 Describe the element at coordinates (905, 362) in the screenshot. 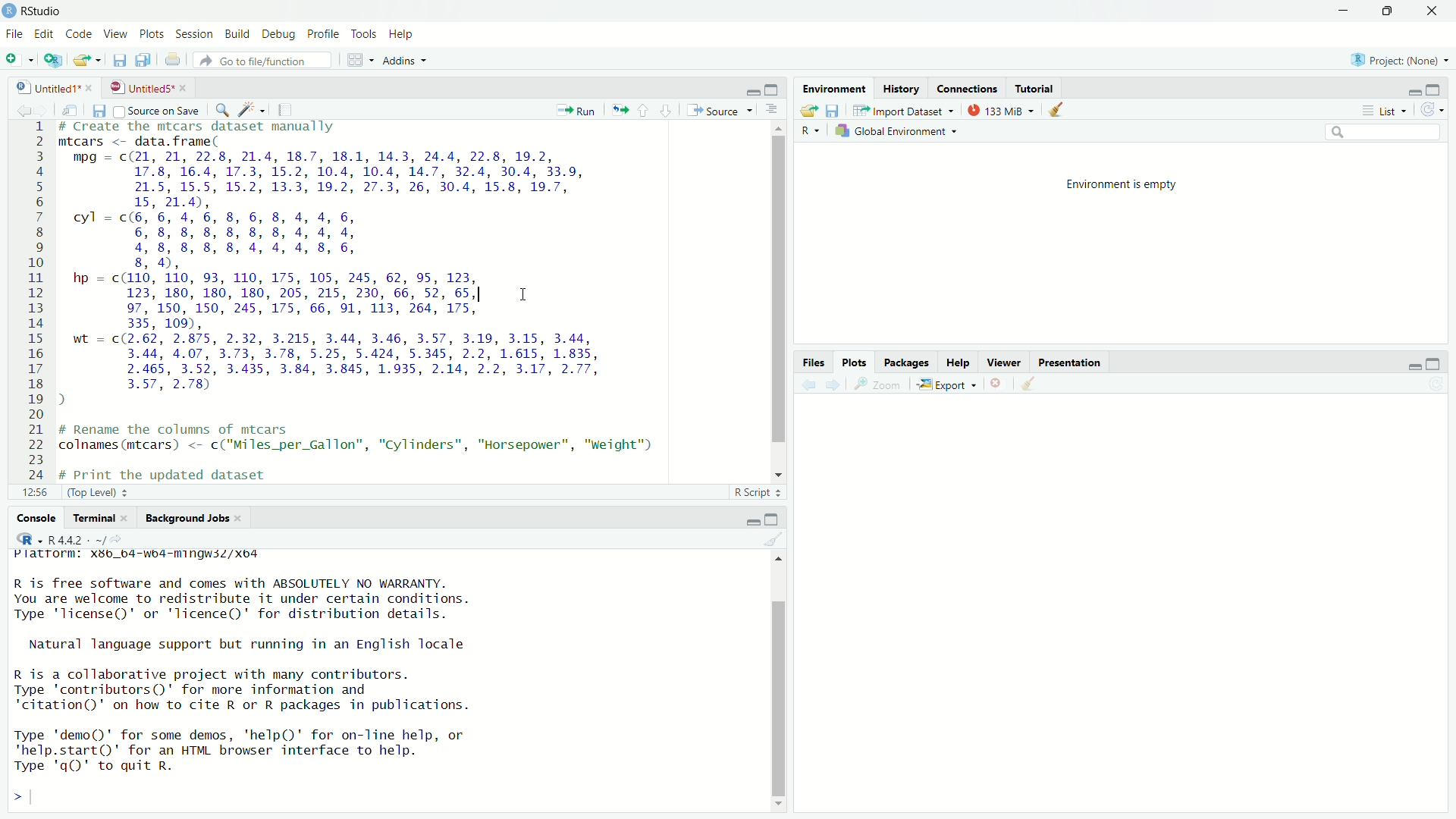

I see `packages` at that location.